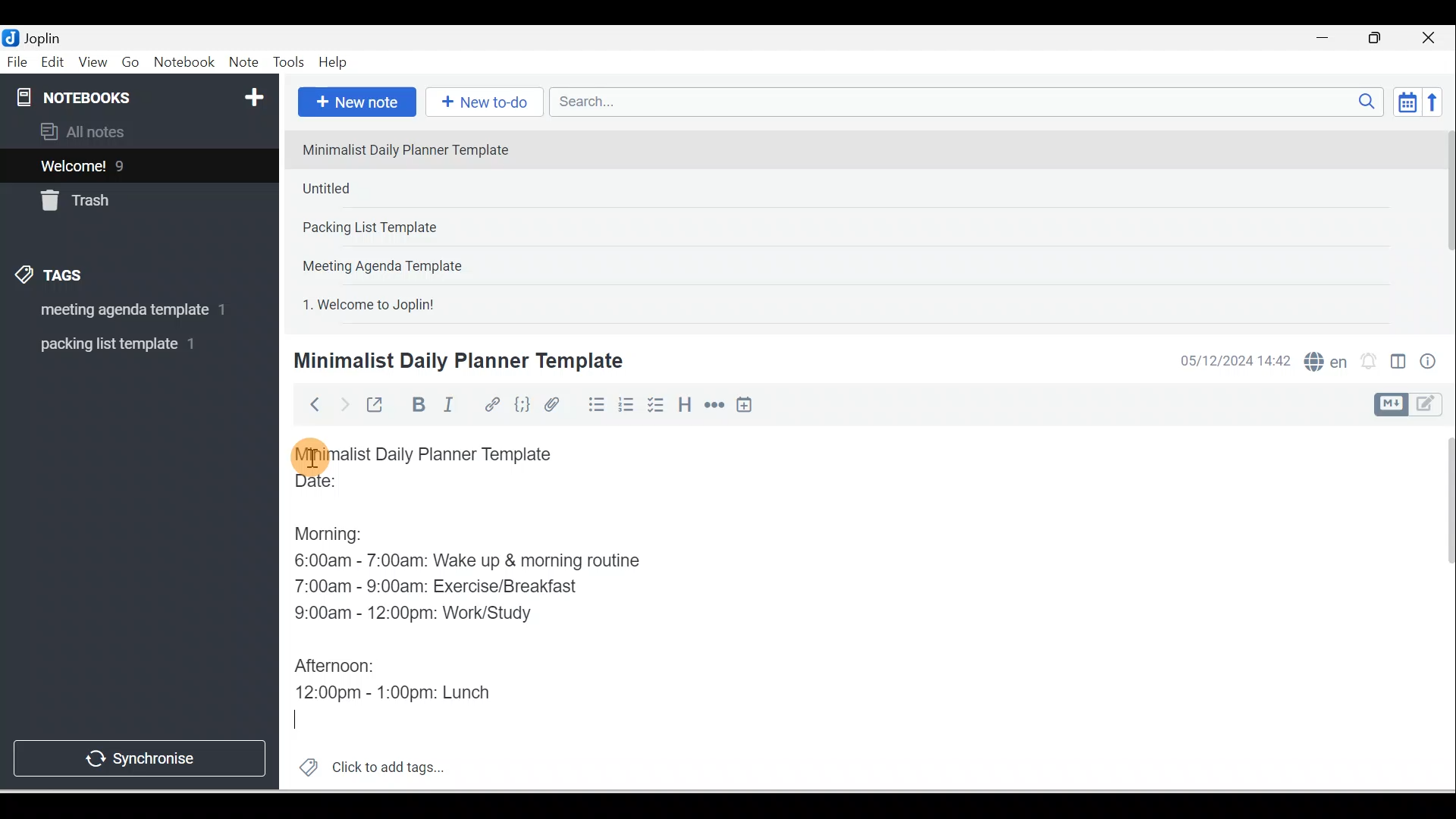  What do you see at coordinates (1429, 363) in the screenshot?
I see `Note properties` at bounding box center [1429, 363].